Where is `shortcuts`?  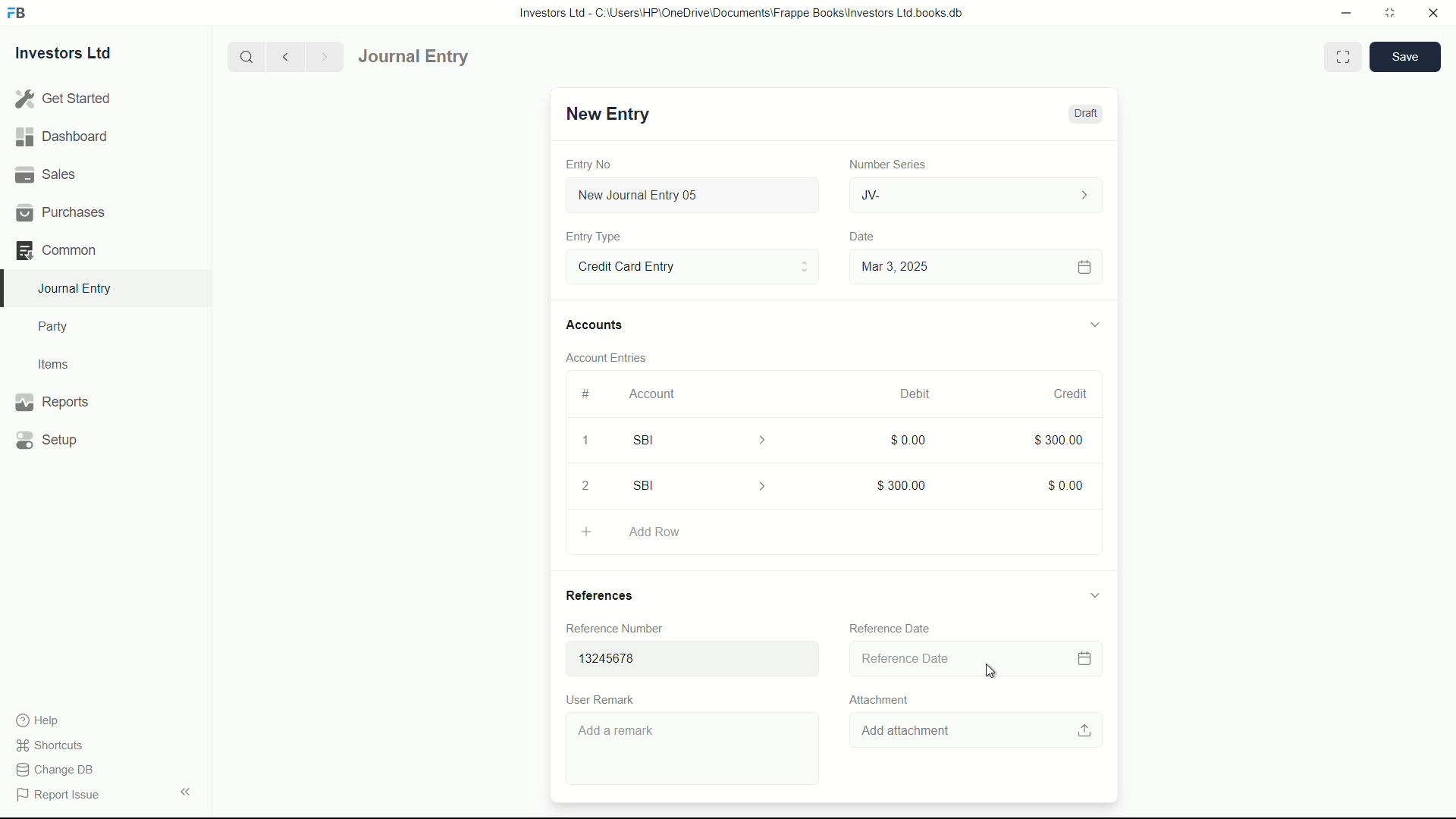
shortcuts is located at coordinates (53, 745).